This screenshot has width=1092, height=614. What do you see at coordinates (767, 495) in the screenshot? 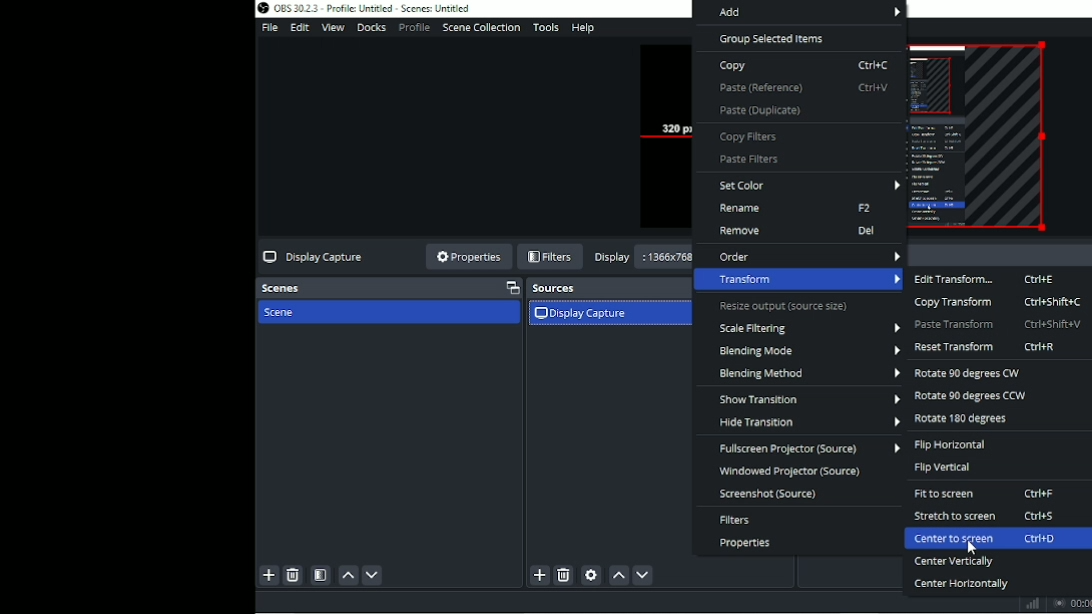
I see `Screenshot` at bounding box center [767, 495].